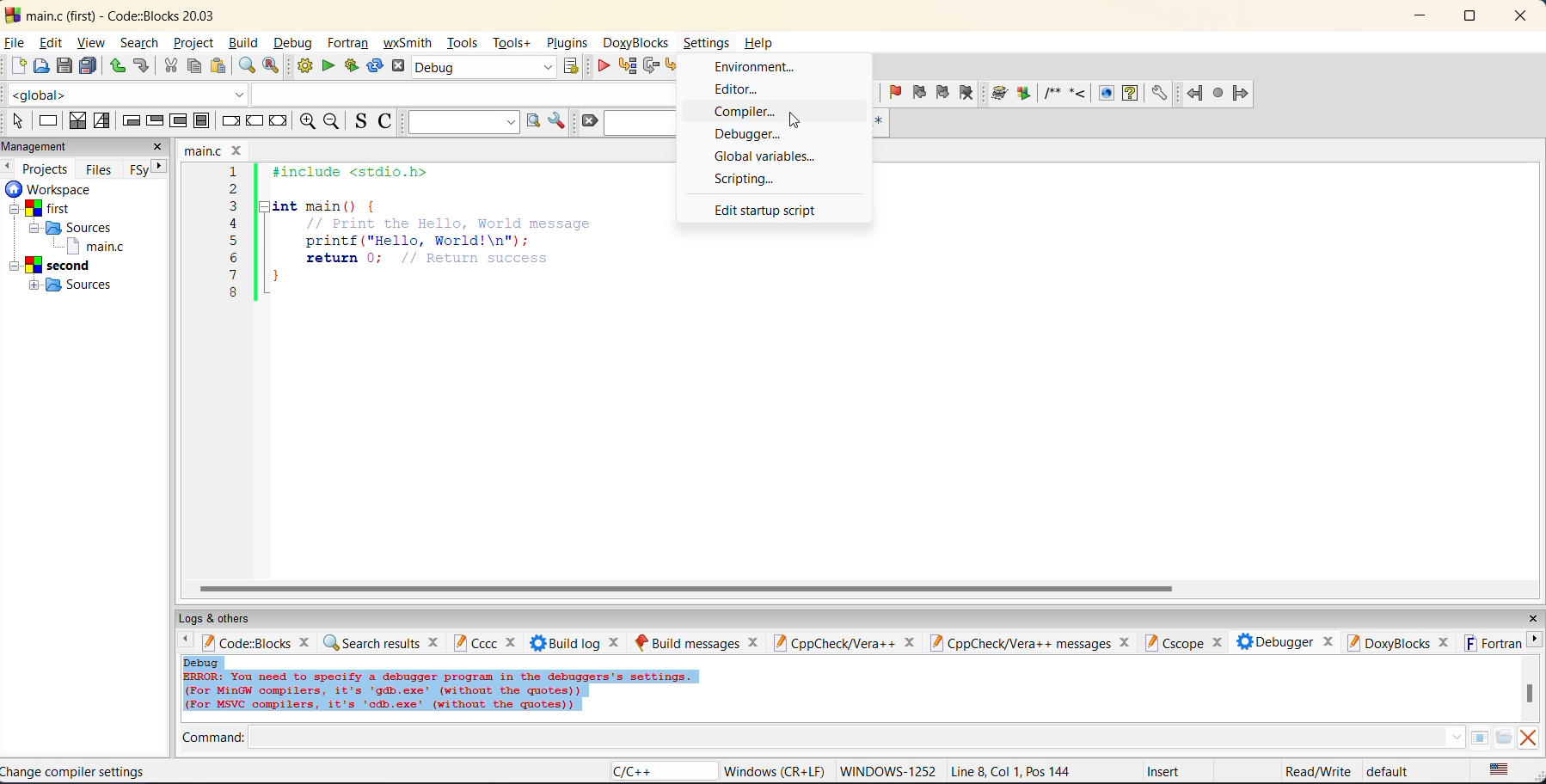  Describe the element at coordinates (1134, 95) in the screenshot. I see `run html help documentation` at that location.